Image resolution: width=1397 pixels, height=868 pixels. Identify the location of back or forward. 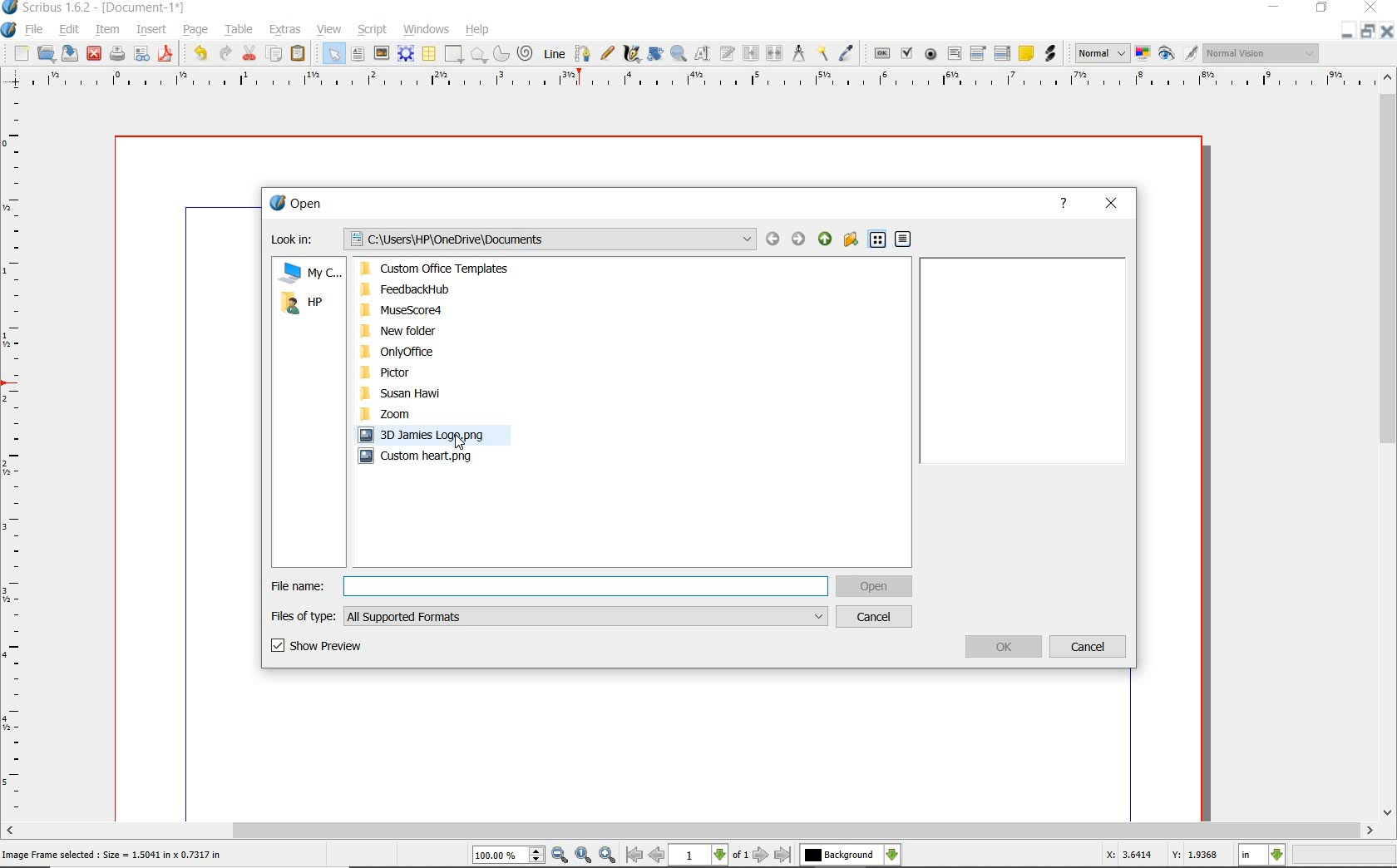
(786, 242).